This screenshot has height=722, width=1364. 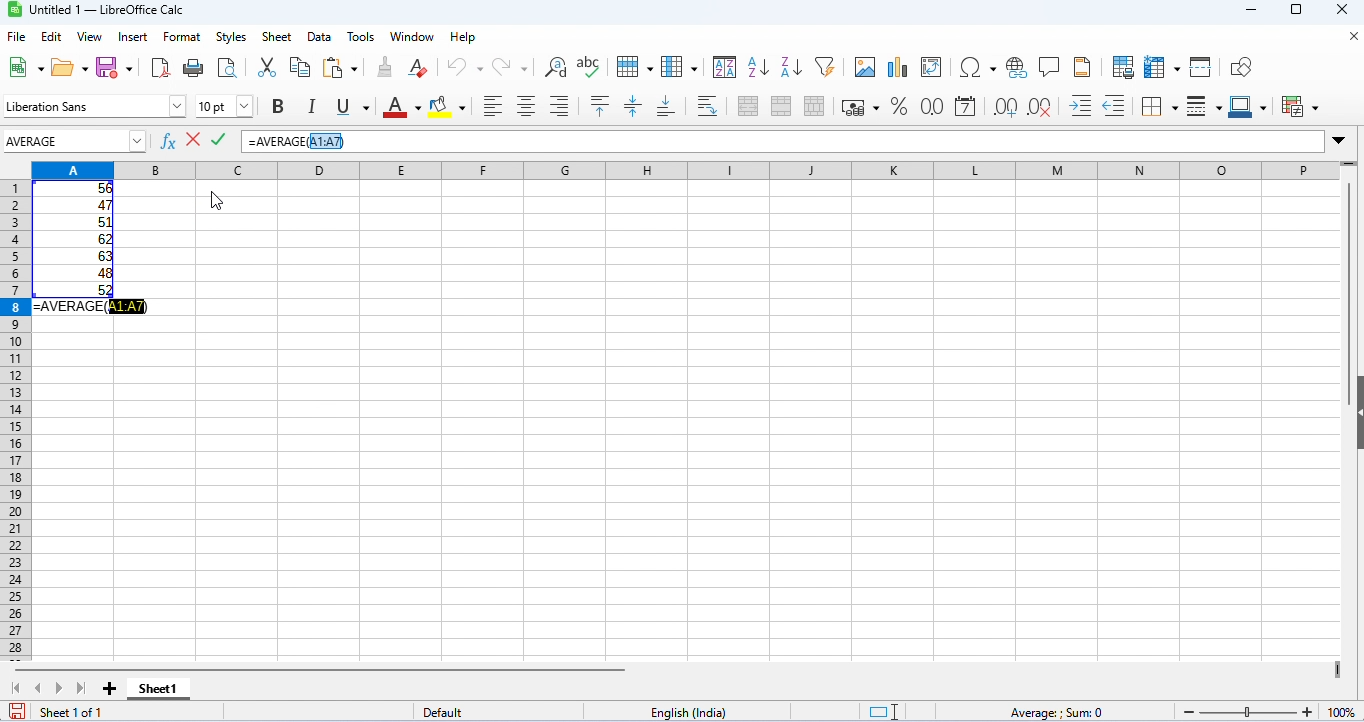 I want to click on bold, so click(x=278, y=107).